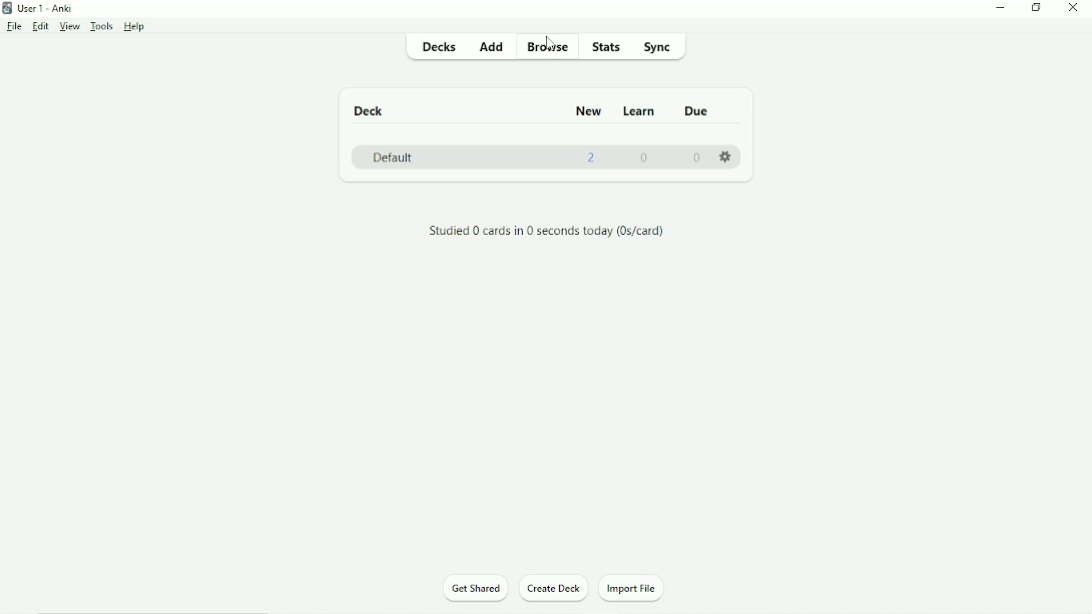  Describe the element at coordinates (639, 110) in the screenshot. I see `Learn` at that location.